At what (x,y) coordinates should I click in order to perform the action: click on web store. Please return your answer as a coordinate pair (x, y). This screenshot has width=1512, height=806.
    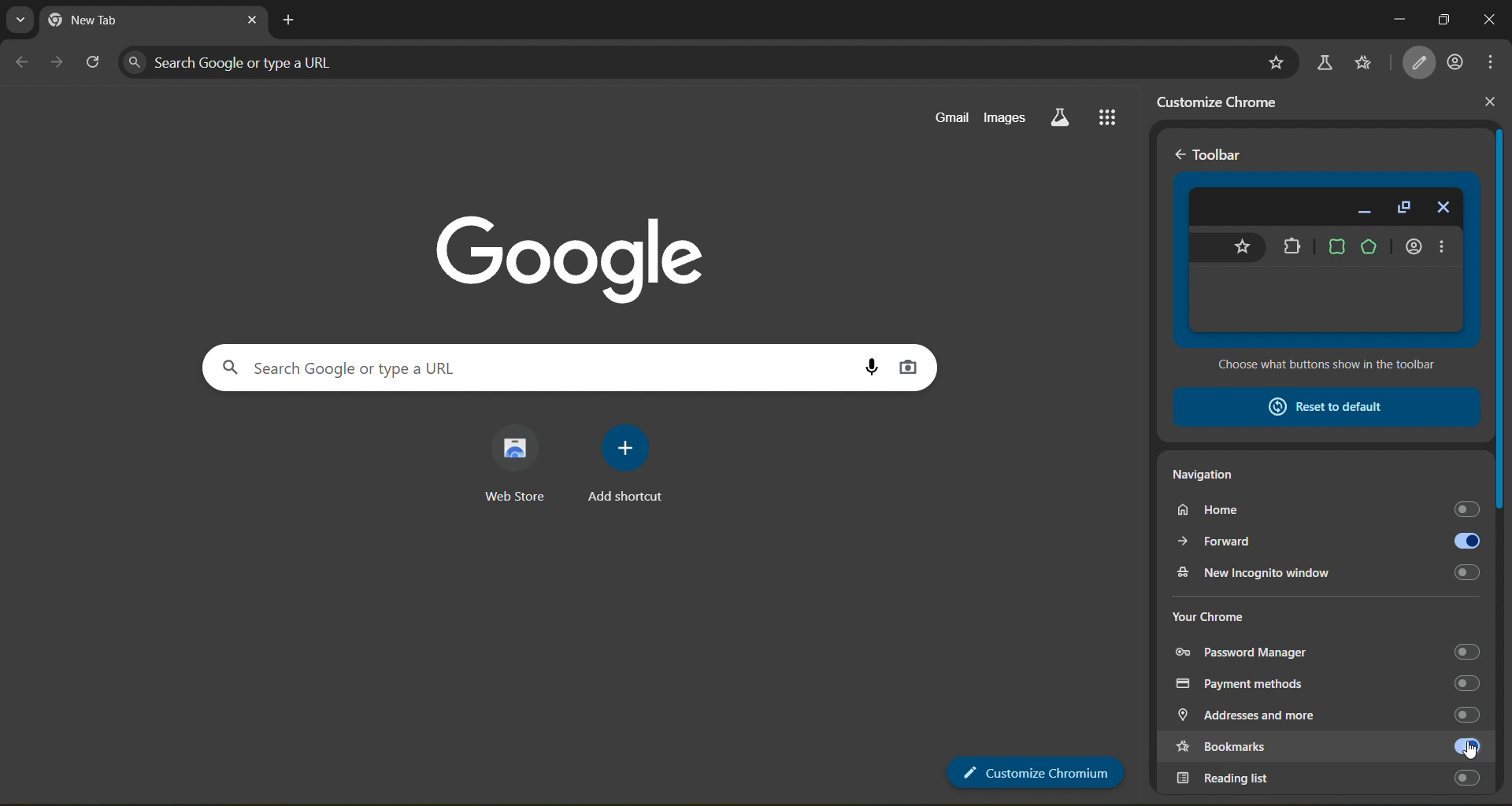
    Looking at the image, I should click on (516, 462).